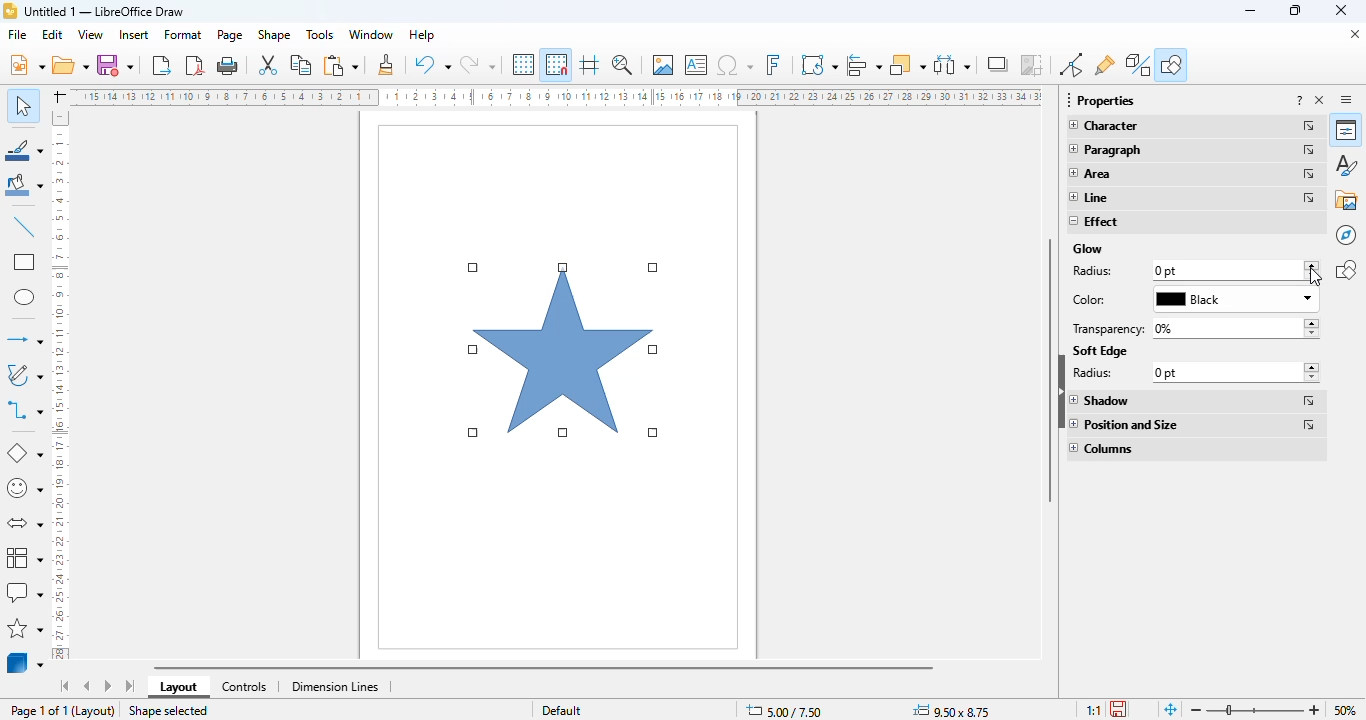 This screenshot has width=1366, height=720. Describe the element at coordinates (1138, 65) in the screenshot. I see `toggle extrusion` at that location.